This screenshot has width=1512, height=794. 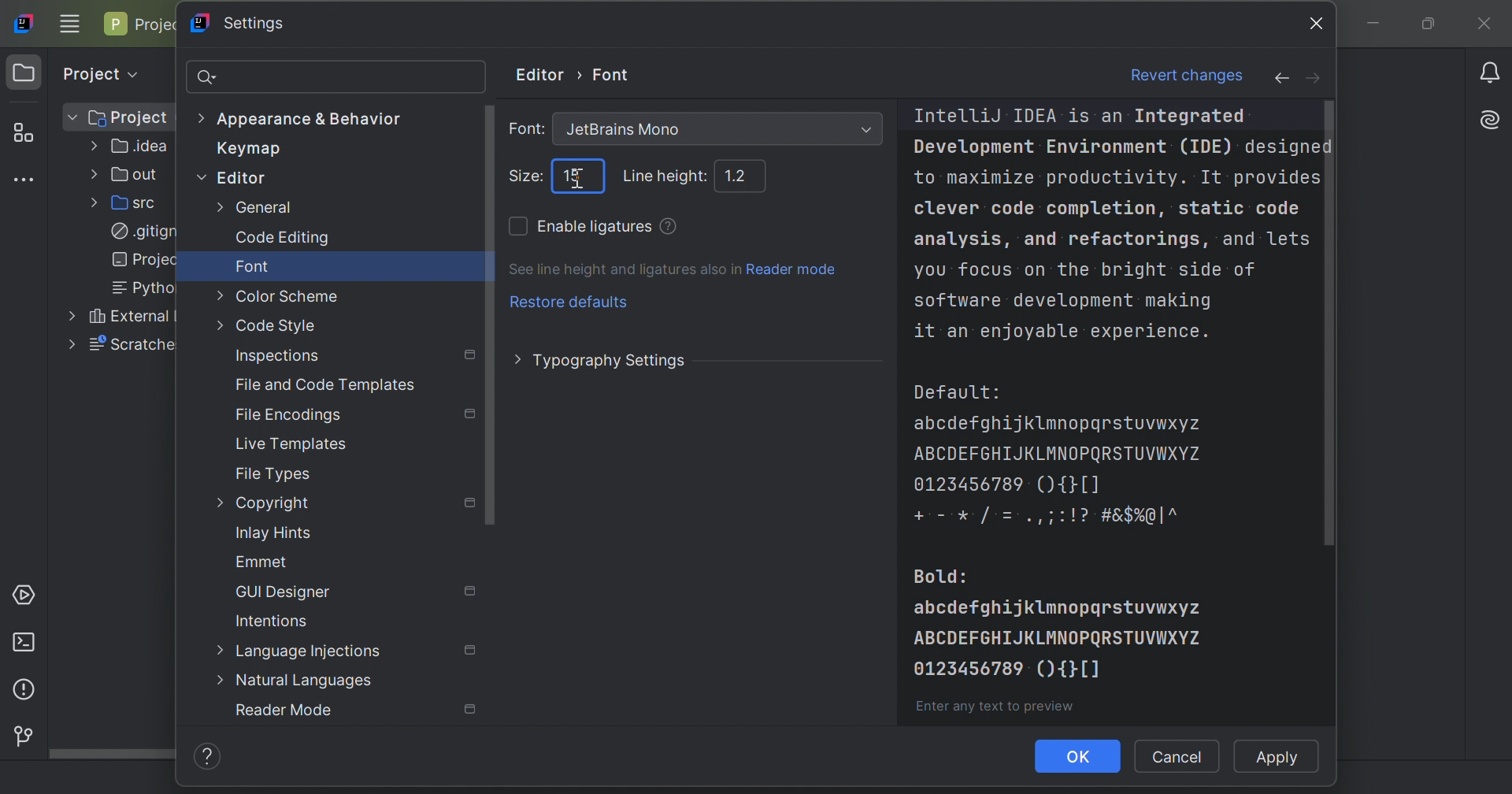 I want to click on Code editing, so click(x=283, y=239).